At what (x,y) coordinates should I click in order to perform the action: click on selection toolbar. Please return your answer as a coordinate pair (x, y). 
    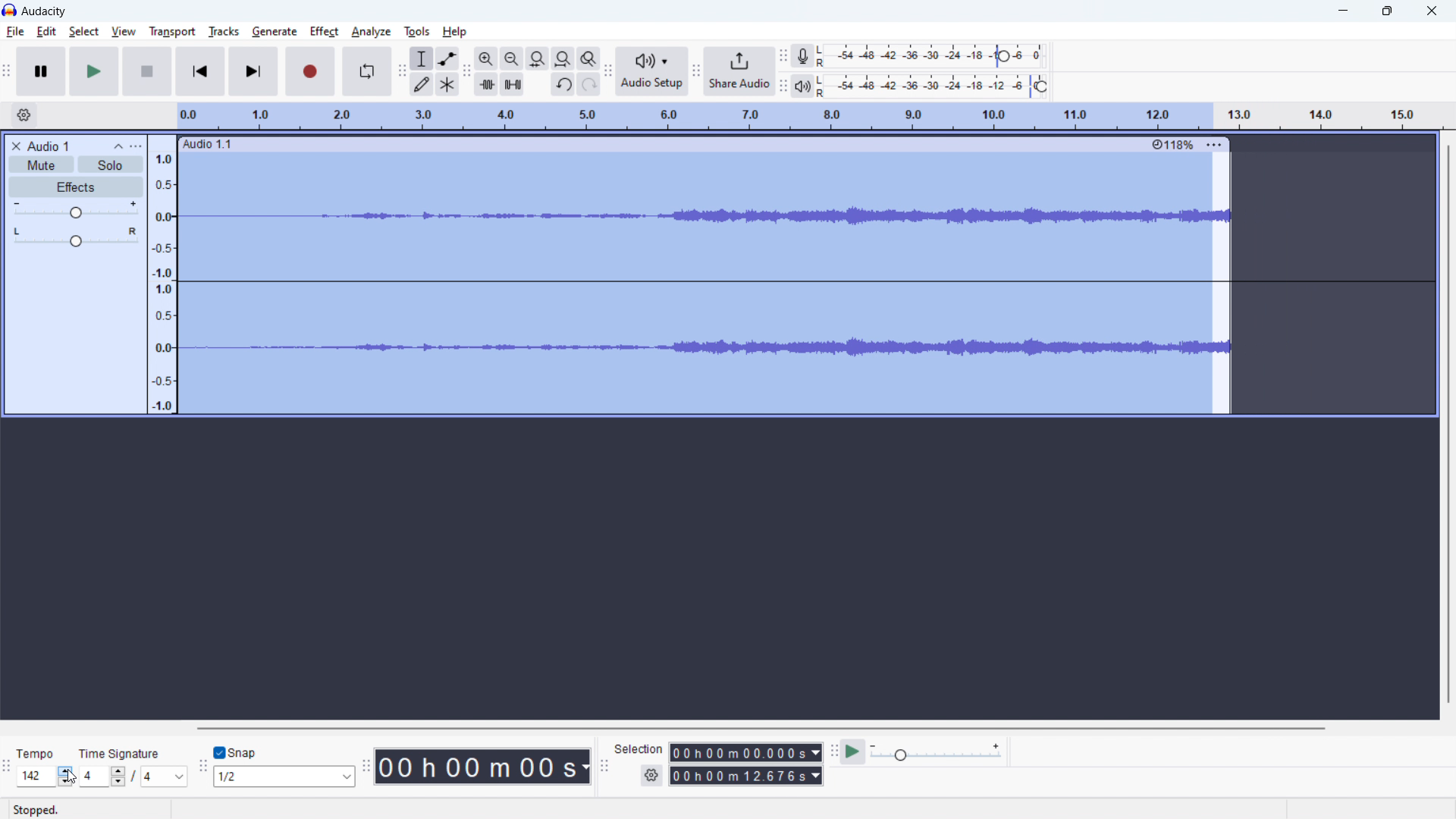
    Looking at the image, I should click on (604, 768).